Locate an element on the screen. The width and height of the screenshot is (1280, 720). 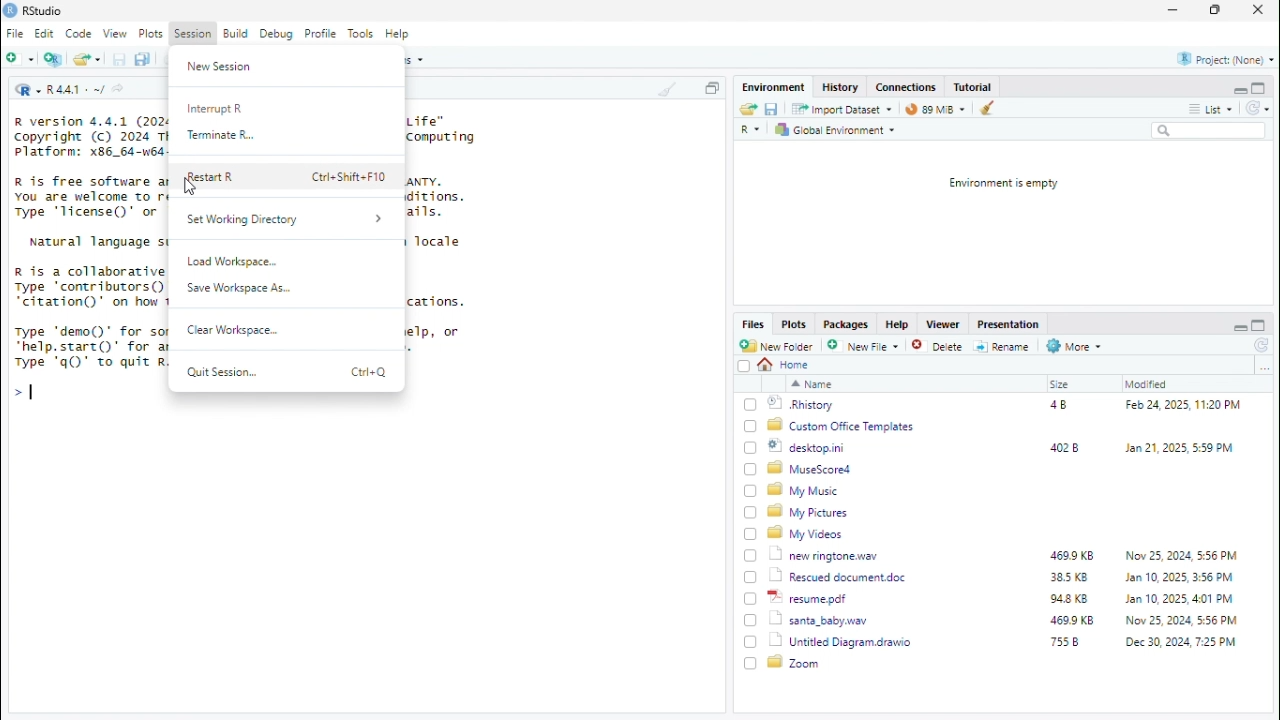
name is located at coordinates (812, 384).